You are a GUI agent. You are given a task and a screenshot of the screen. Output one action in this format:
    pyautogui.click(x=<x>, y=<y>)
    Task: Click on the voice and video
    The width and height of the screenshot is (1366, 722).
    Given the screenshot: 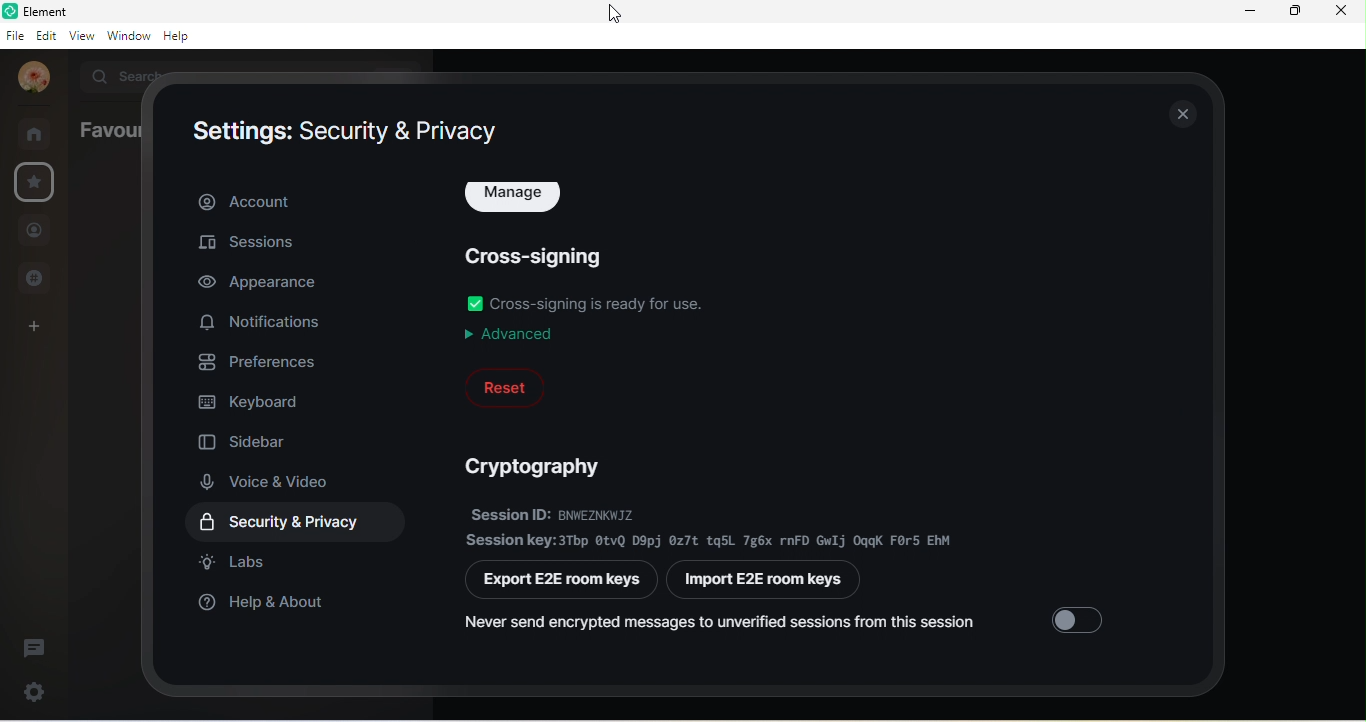 What is the action you would take?
    pyautogui.click(x=273, y=481)
    